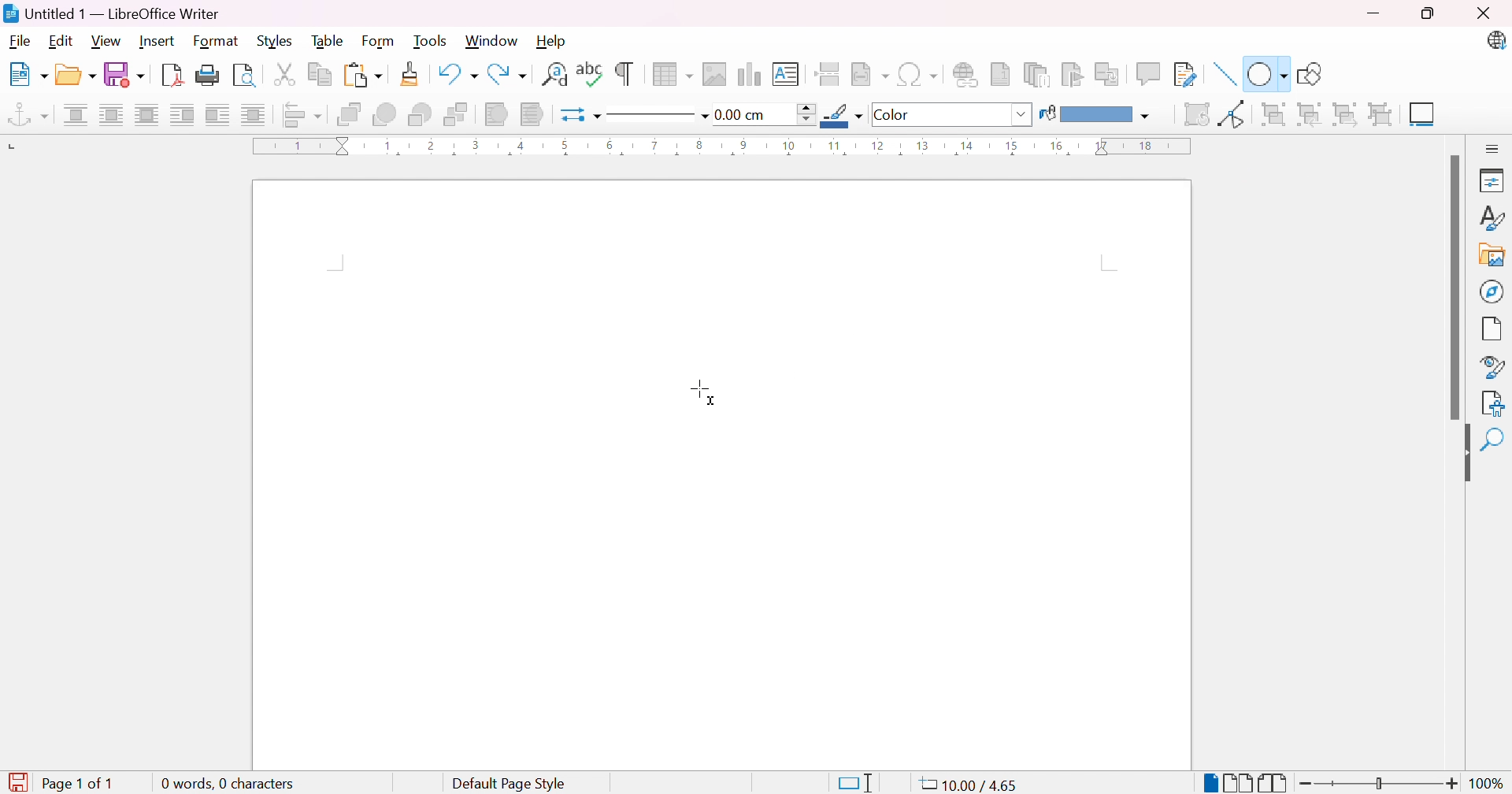 Image resolution: width=1512 pixels, height=794 pixels. What do you see at coordinates (650, 117) in the screenshot?
I see `Line style` at bounding box center [650, 117].